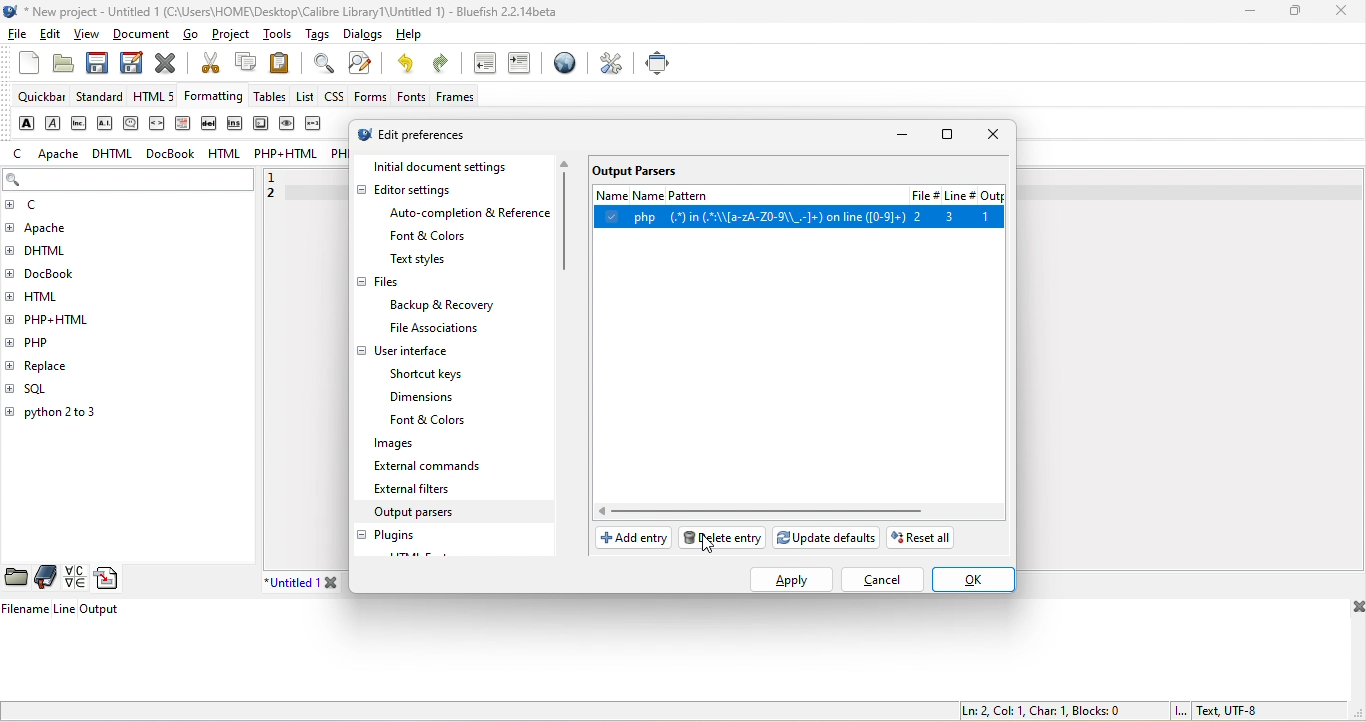 The height and width of the screenshot is (722, 1366). What do you see at coordinates (197, 37) in the screenshot?
I see `go` at bounding box center [197, 37].